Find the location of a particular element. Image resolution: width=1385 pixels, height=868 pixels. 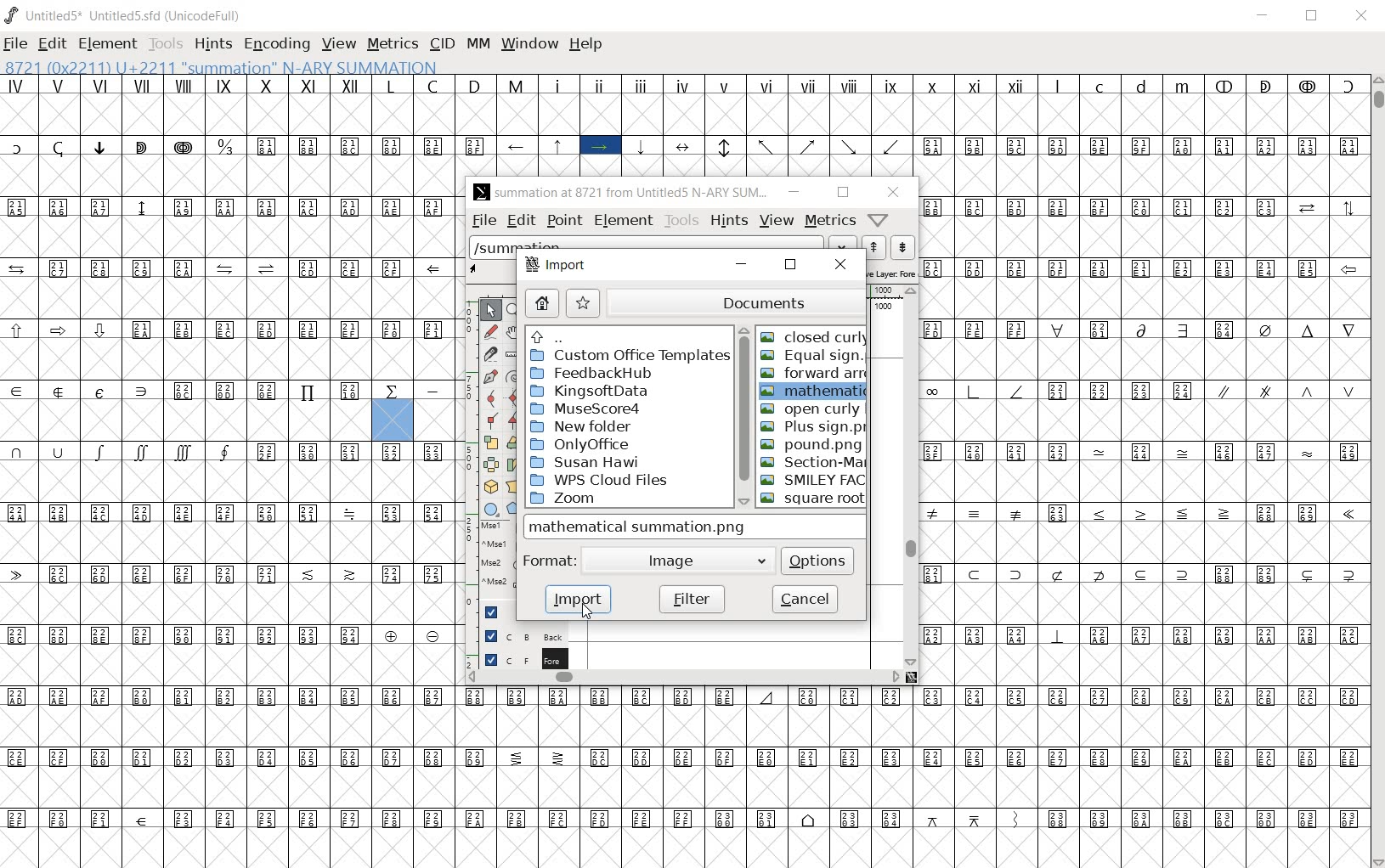

GLYPHS is located at coordinates (227, 472).